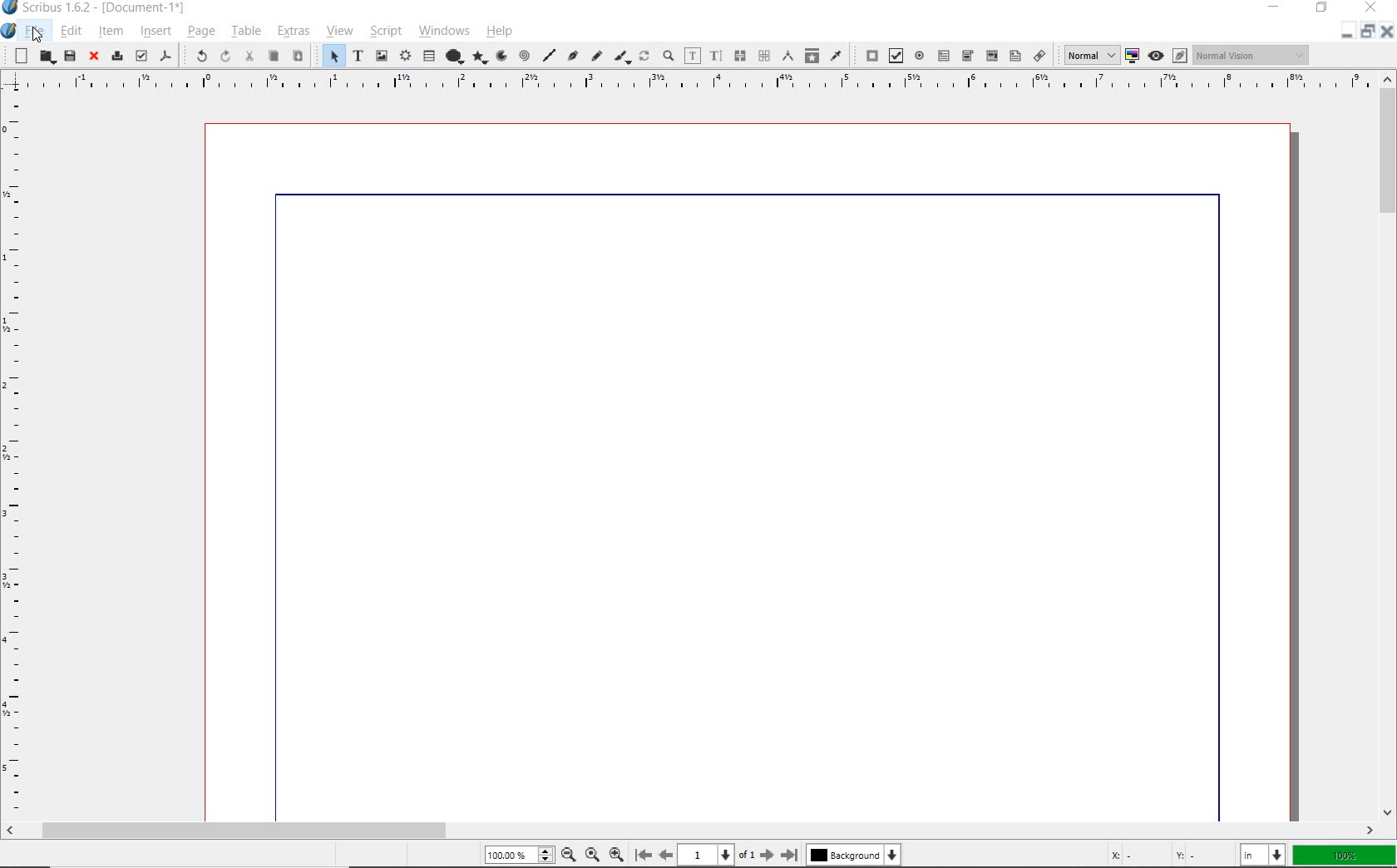 The height and width of the screenshot is (868, 1397). I want to click on rotate item, so click(644, 55).